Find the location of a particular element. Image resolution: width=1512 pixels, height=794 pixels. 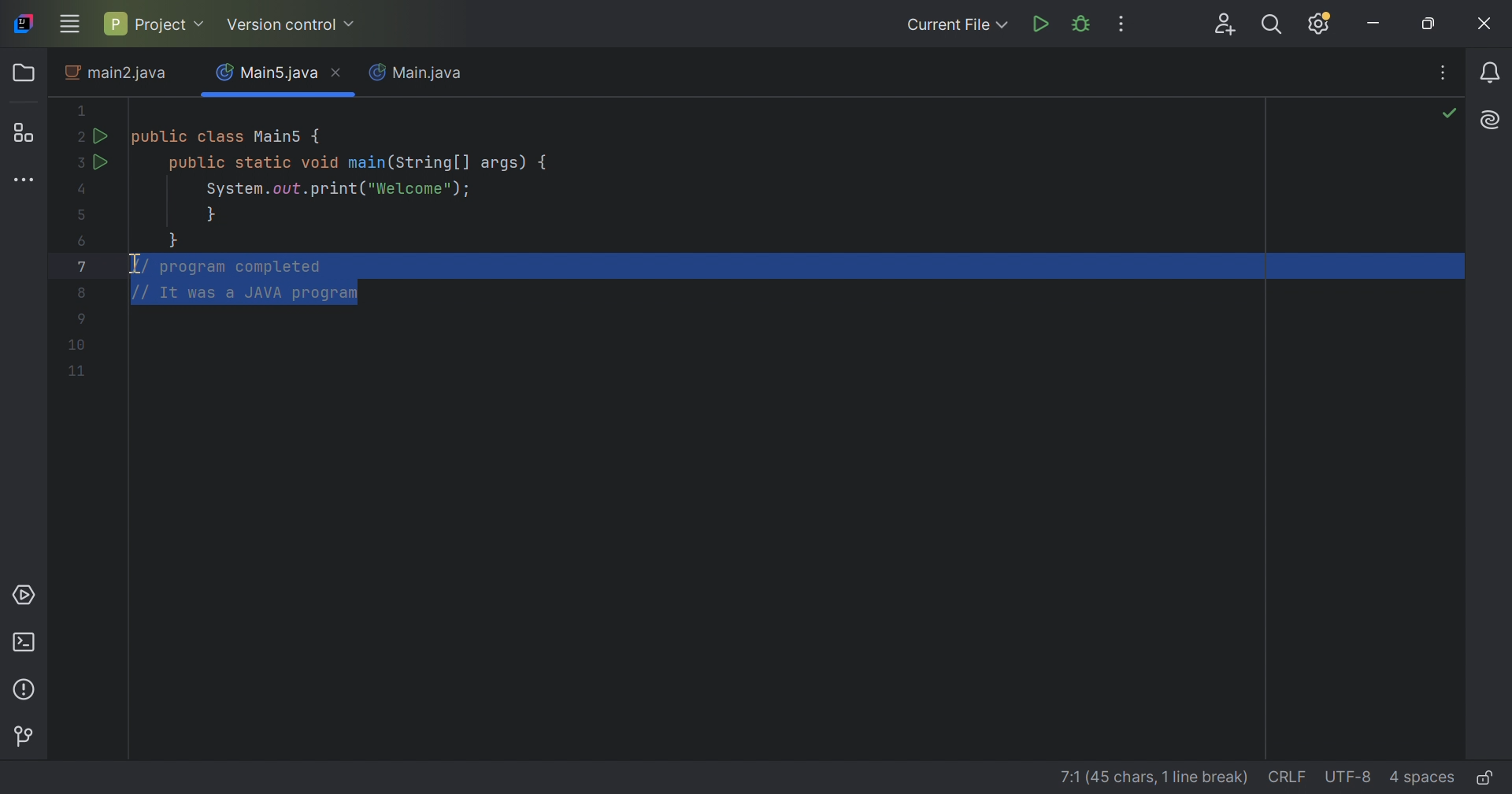

More tool windows is located at coordinates (23, 181).